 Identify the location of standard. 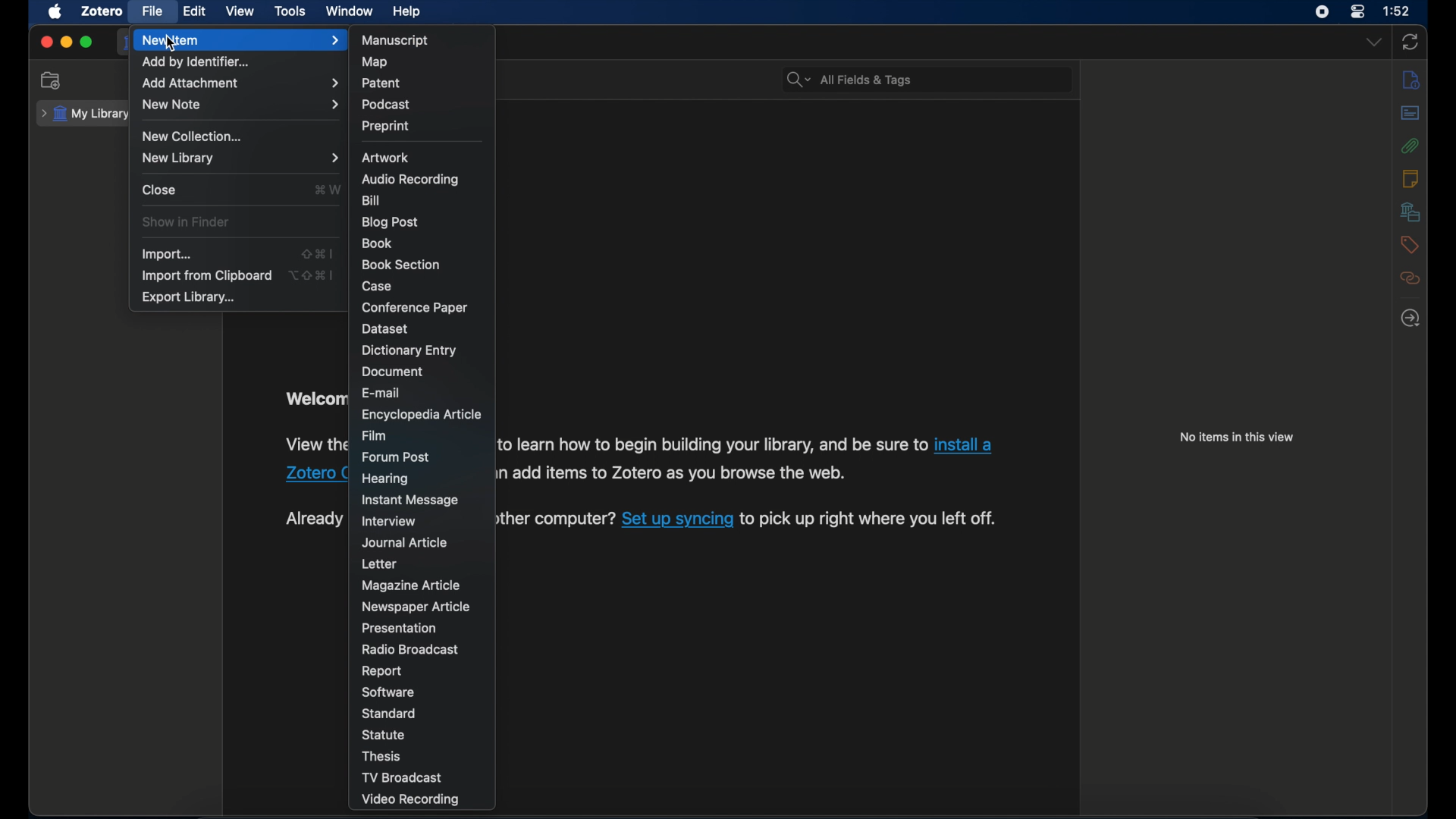
(391, 713).